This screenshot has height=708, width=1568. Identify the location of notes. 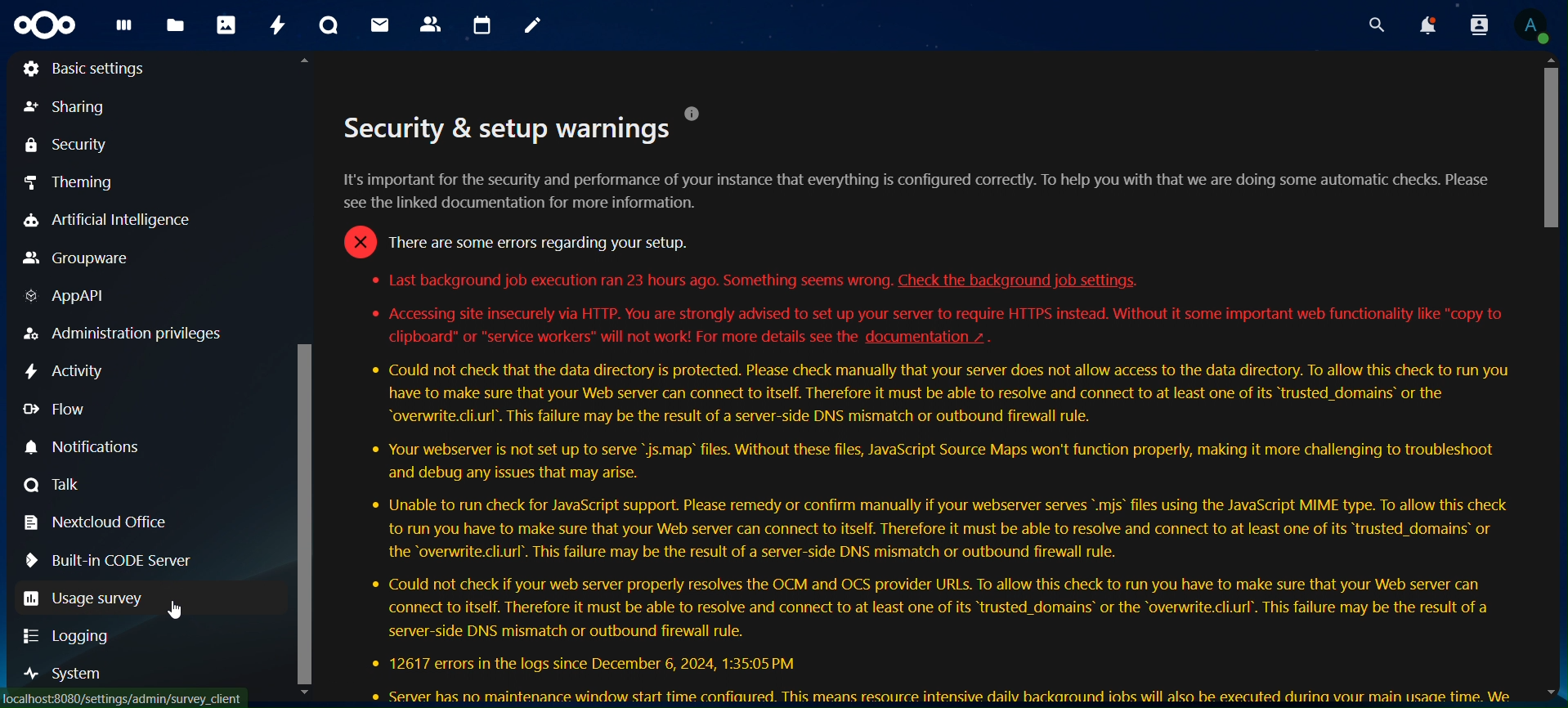
(531, 25).